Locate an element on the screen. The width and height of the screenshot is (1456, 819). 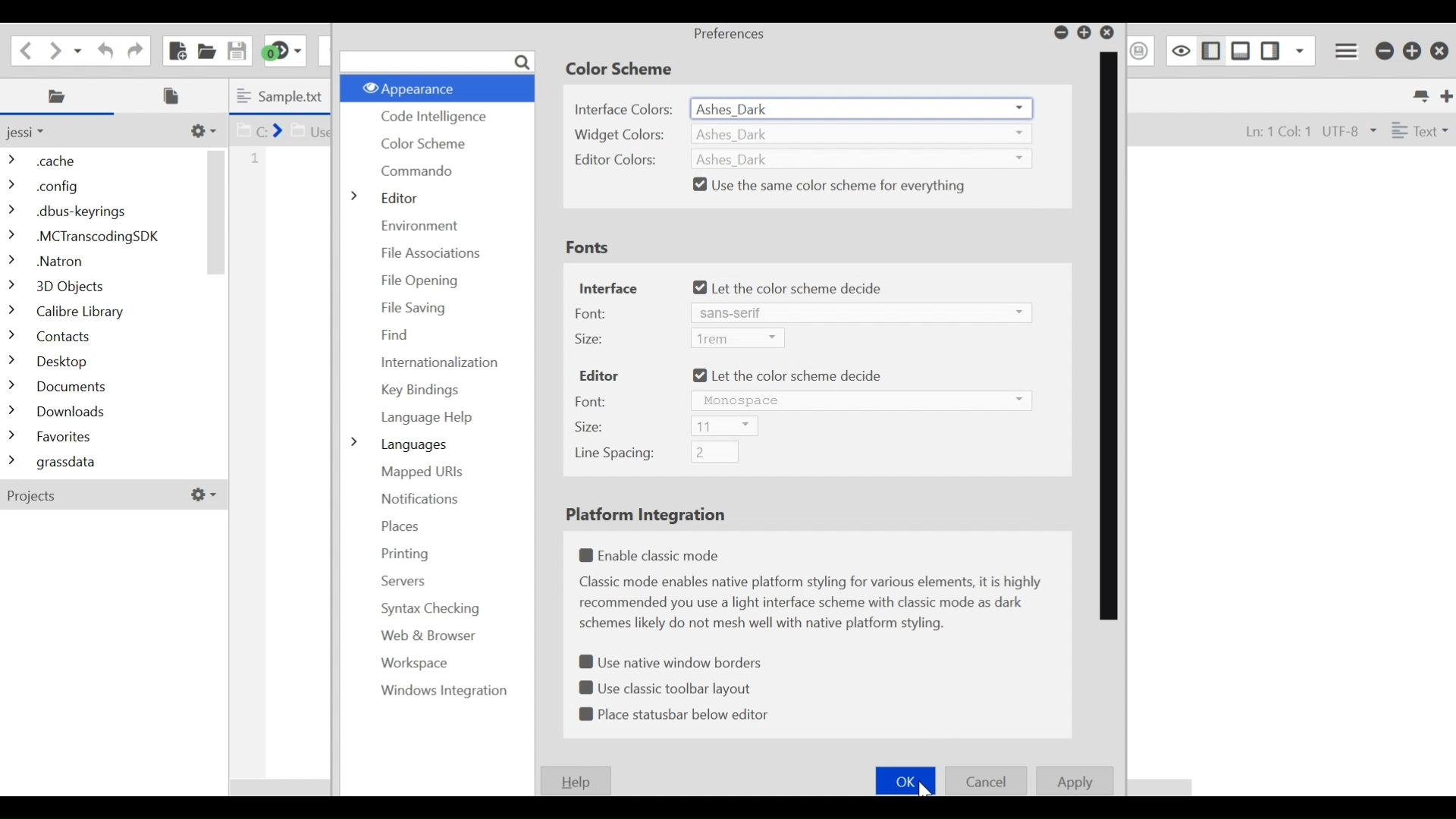
Widget Colors is located at coordinates (623, 135).